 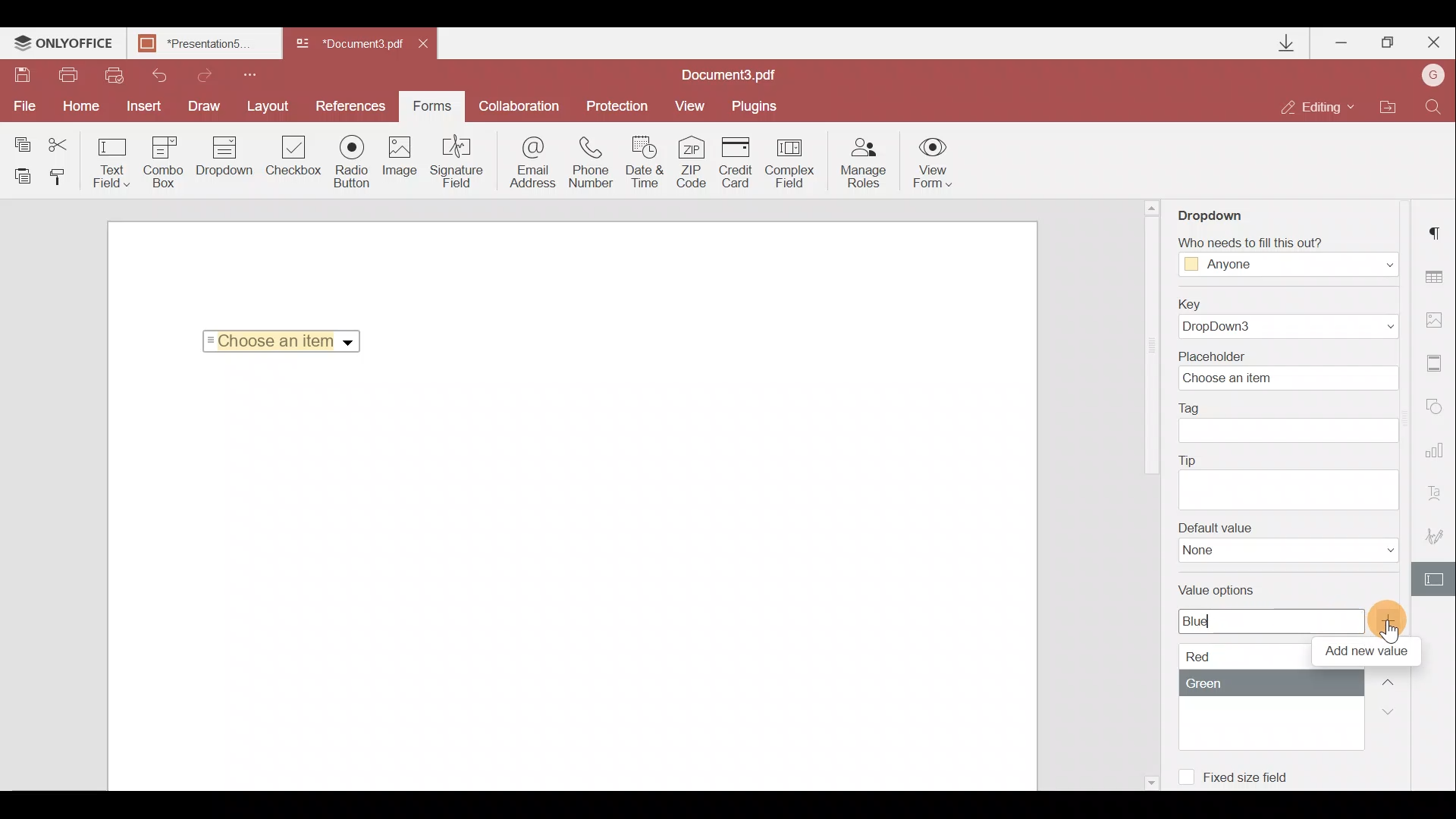 I want to click on Find, so click(x=1436, y=106).